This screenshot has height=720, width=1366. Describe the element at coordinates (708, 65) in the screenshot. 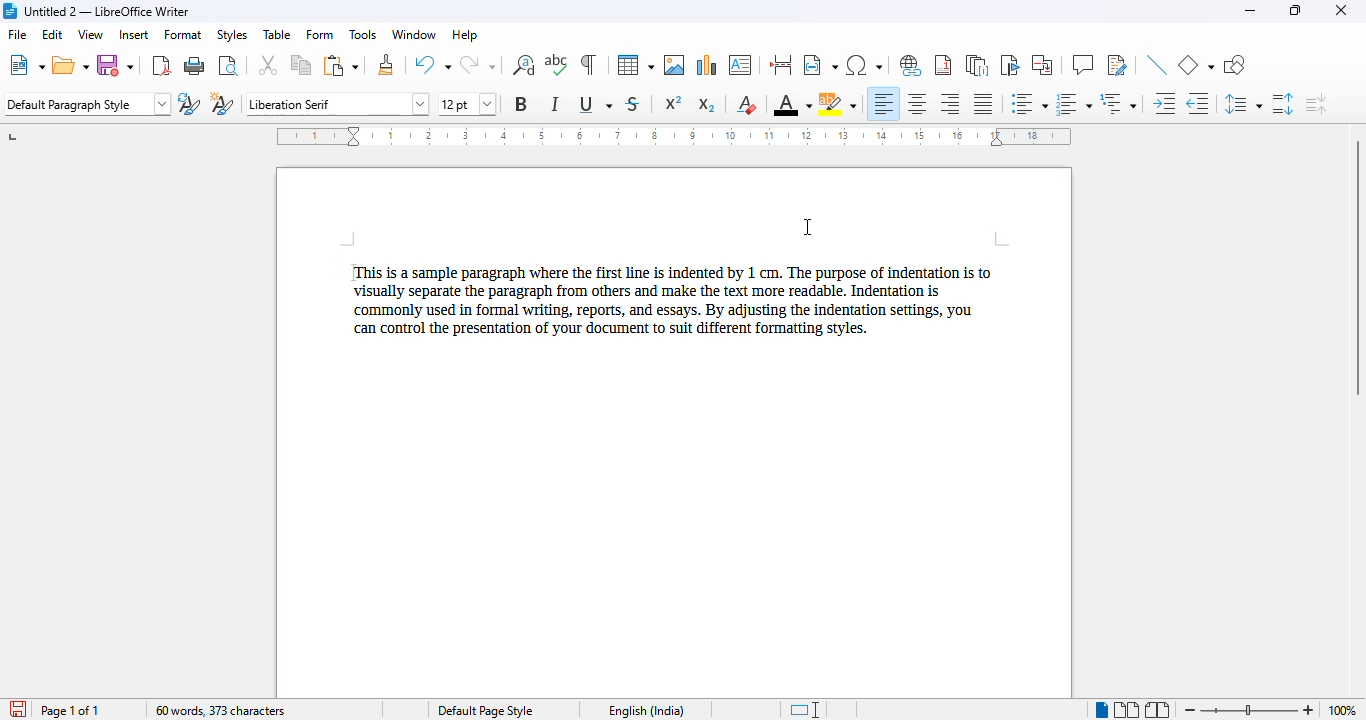

I see `insert chart` at that location.